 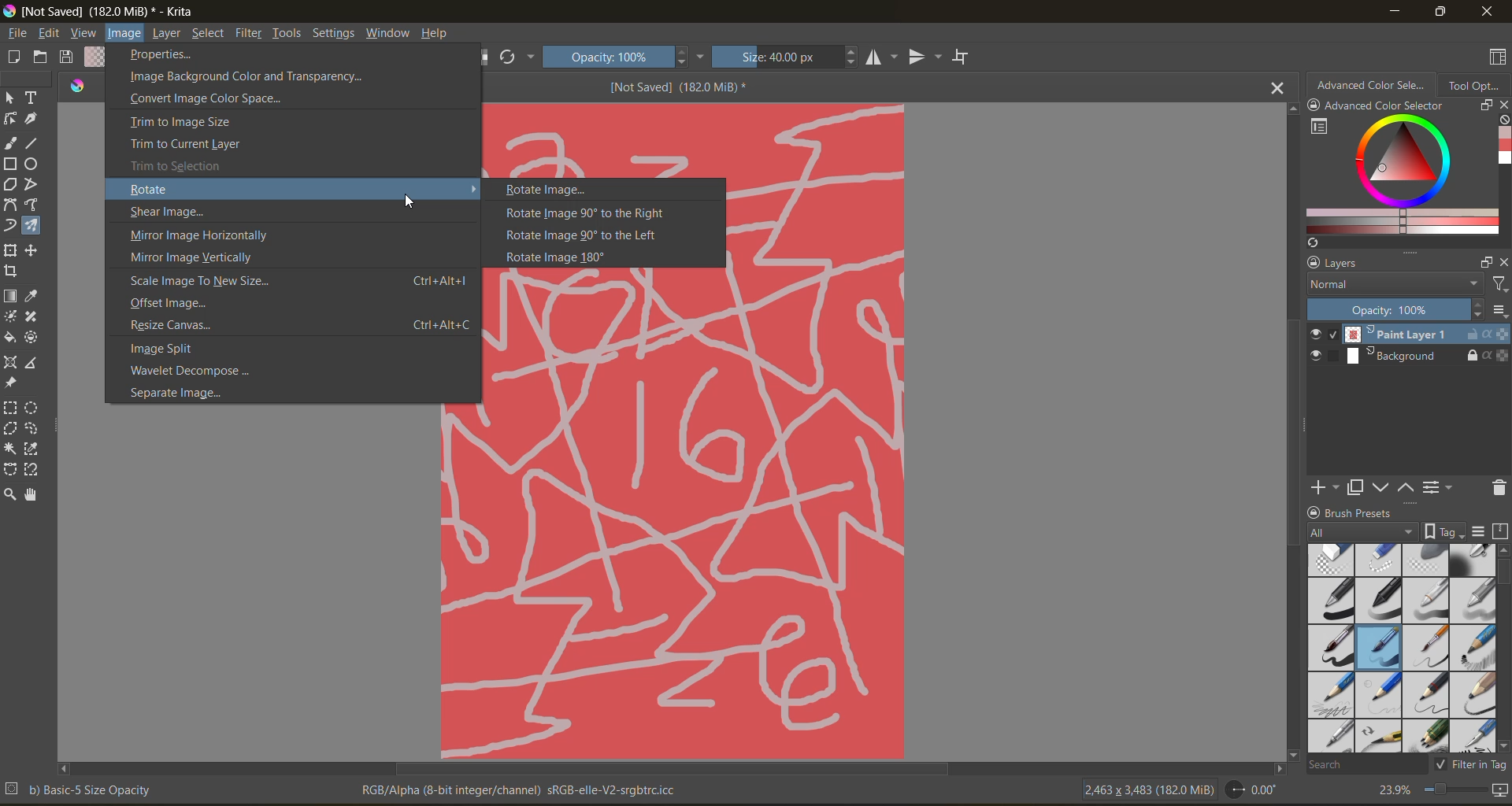 I want to click on clear all color history, so click(x=1503, y=122).